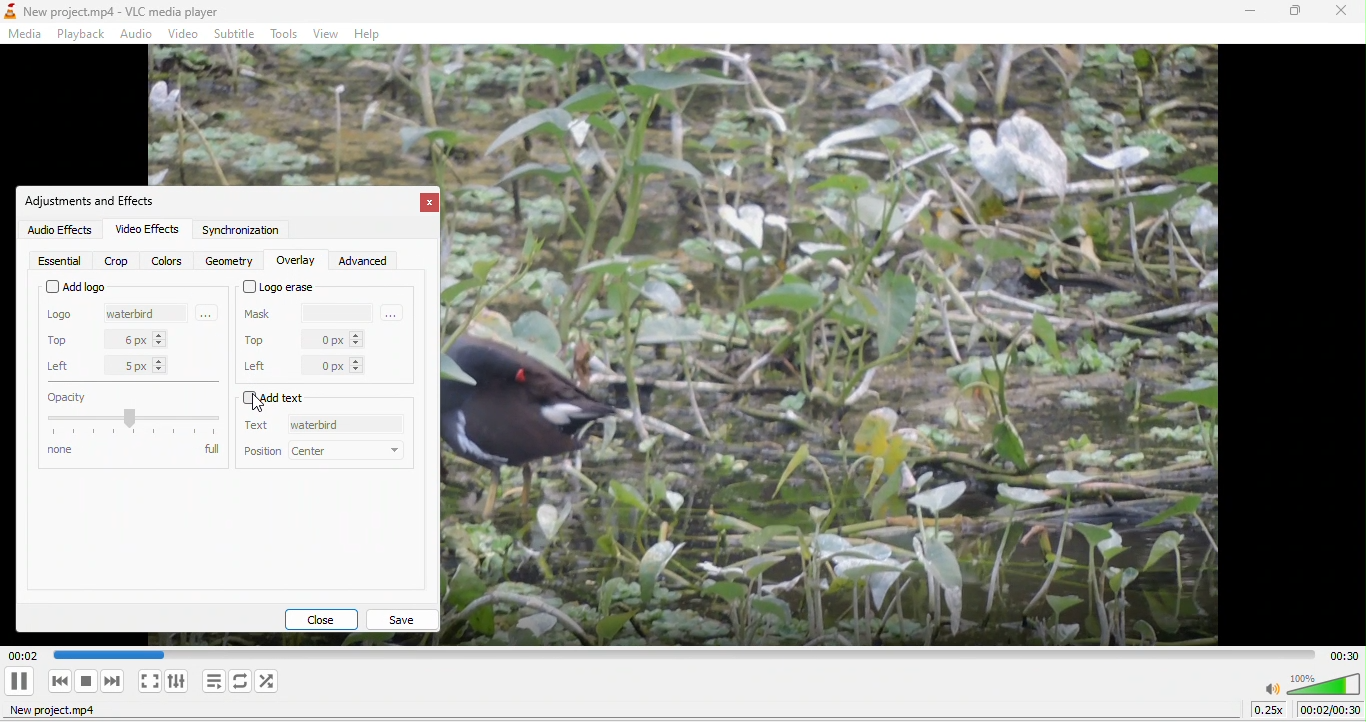 The image size is (1366, 722). I want to click on advanced, so click(363, 261).